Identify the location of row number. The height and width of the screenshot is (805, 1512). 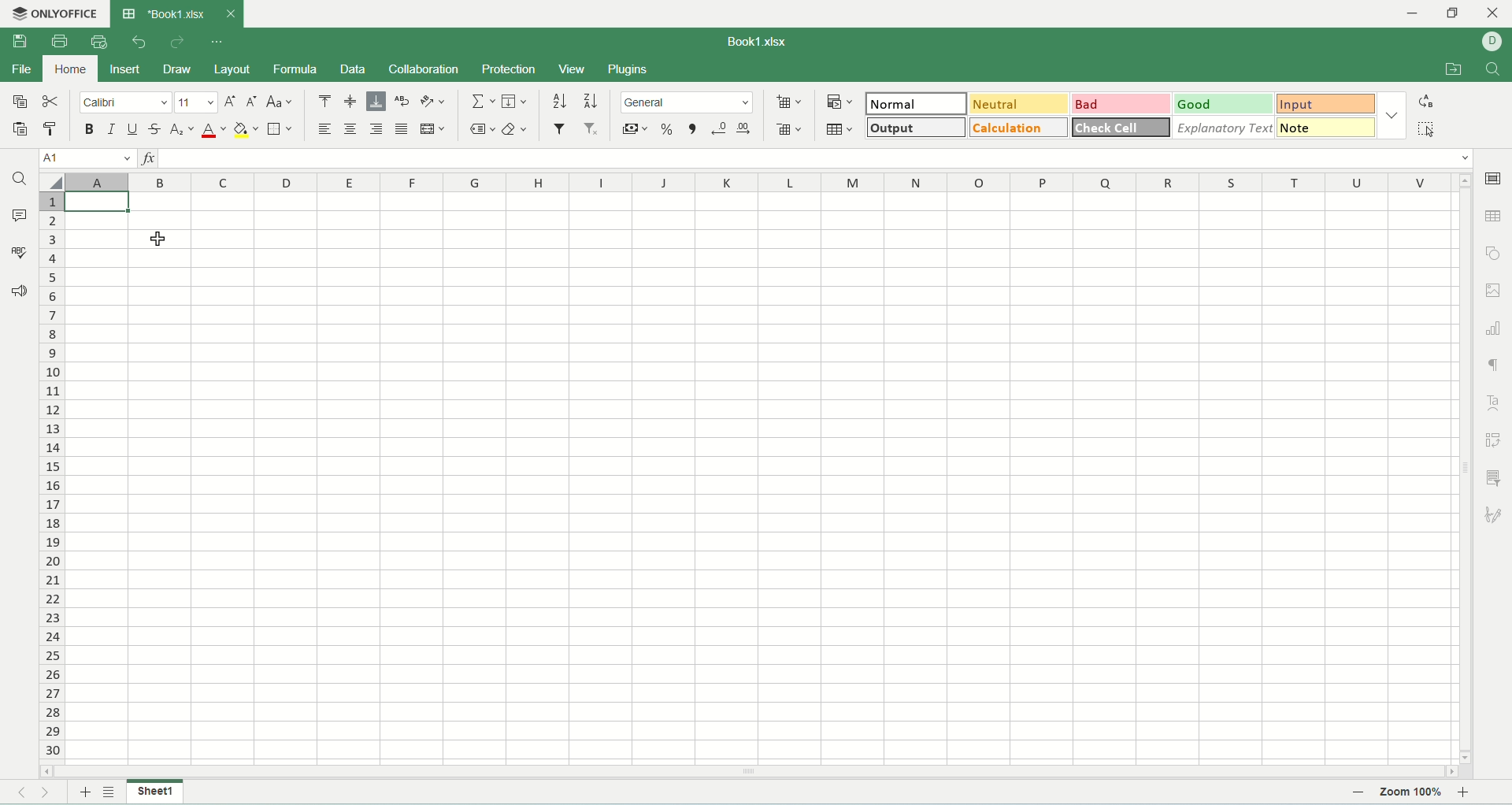
(53, 477).